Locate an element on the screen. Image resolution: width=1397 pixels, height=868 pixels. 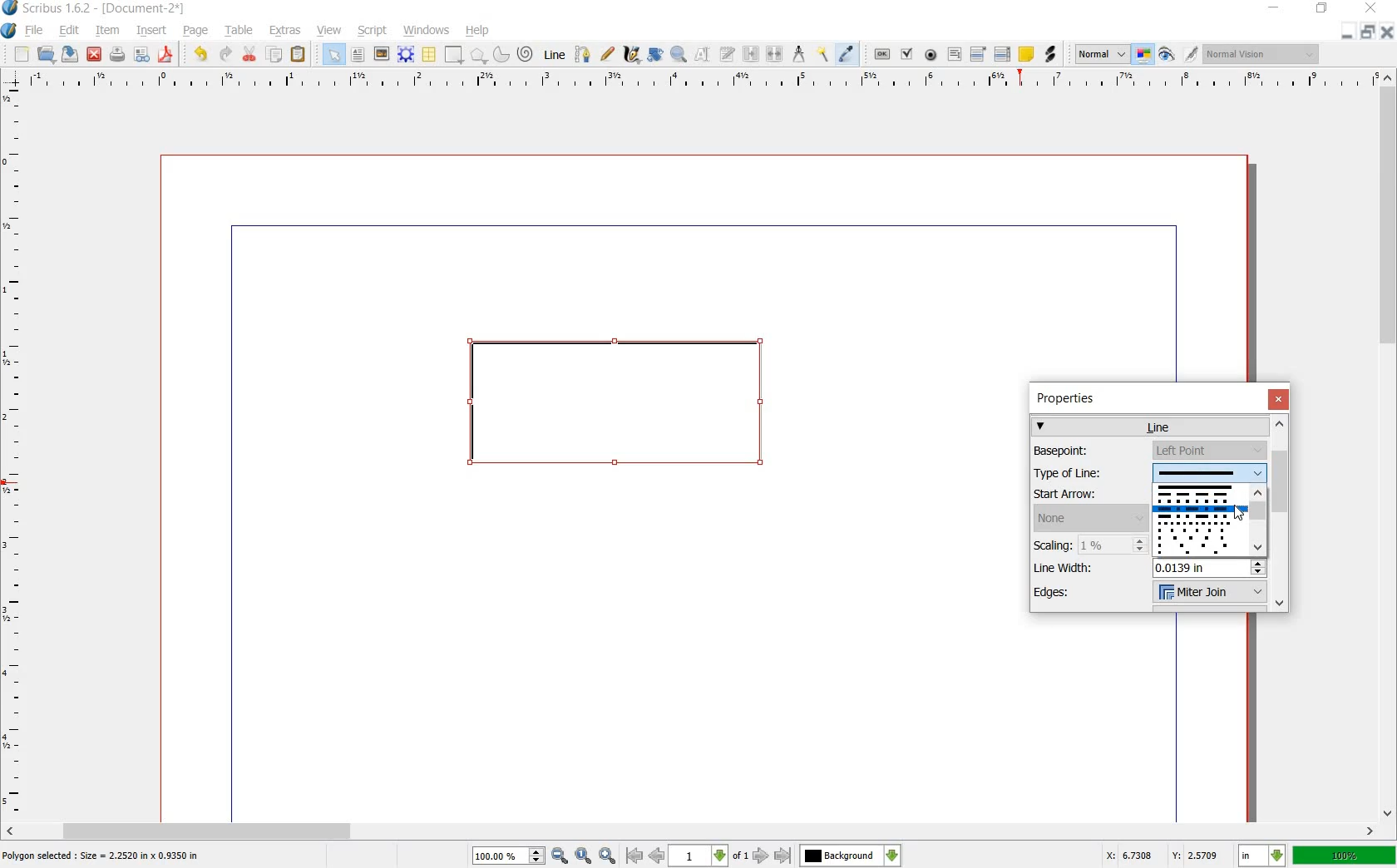
RESTORE is located at coordinates (1320, 11).